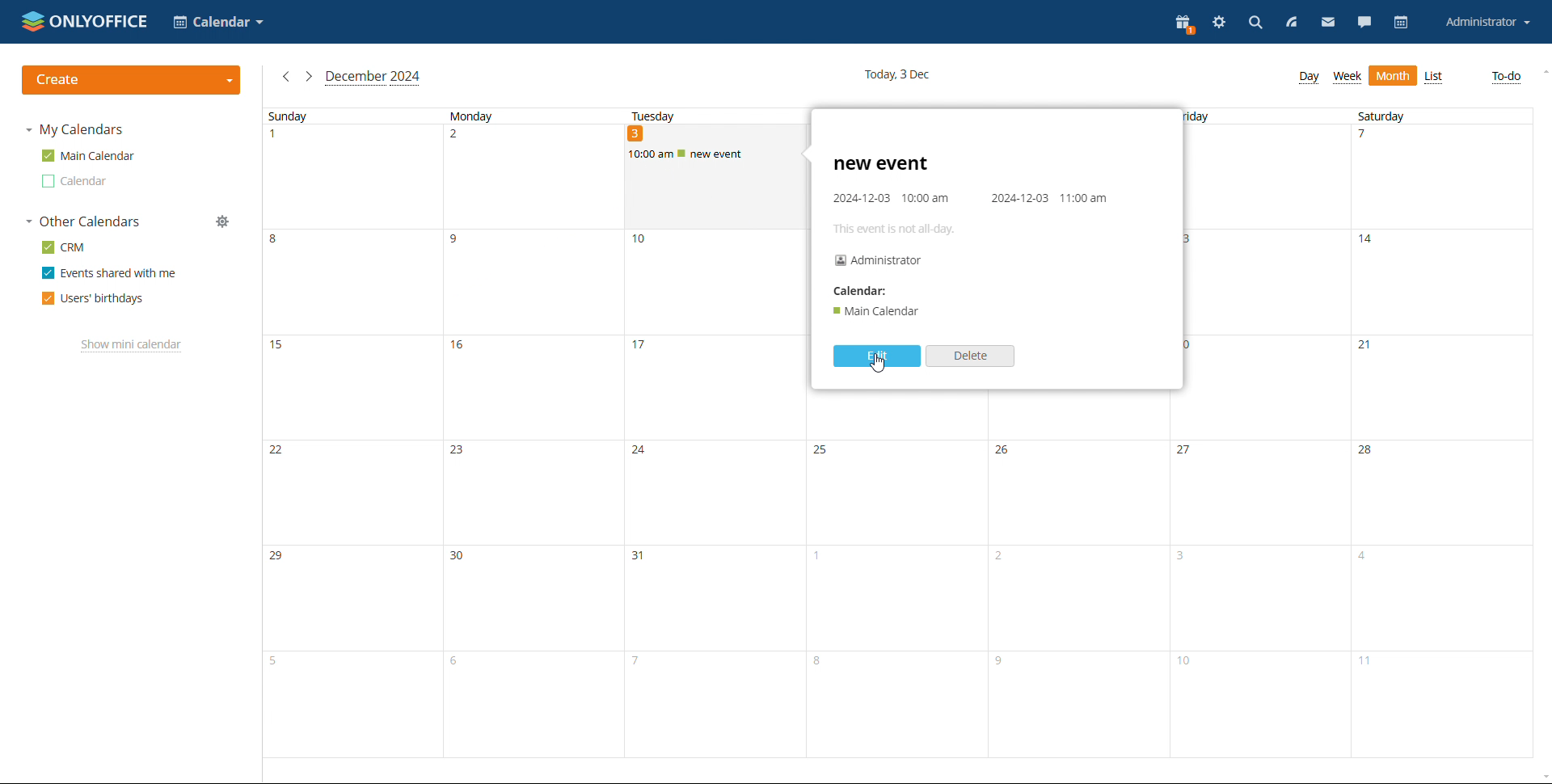 The image size is (1552, 784). I want to click on 3, so click(1261, 597).